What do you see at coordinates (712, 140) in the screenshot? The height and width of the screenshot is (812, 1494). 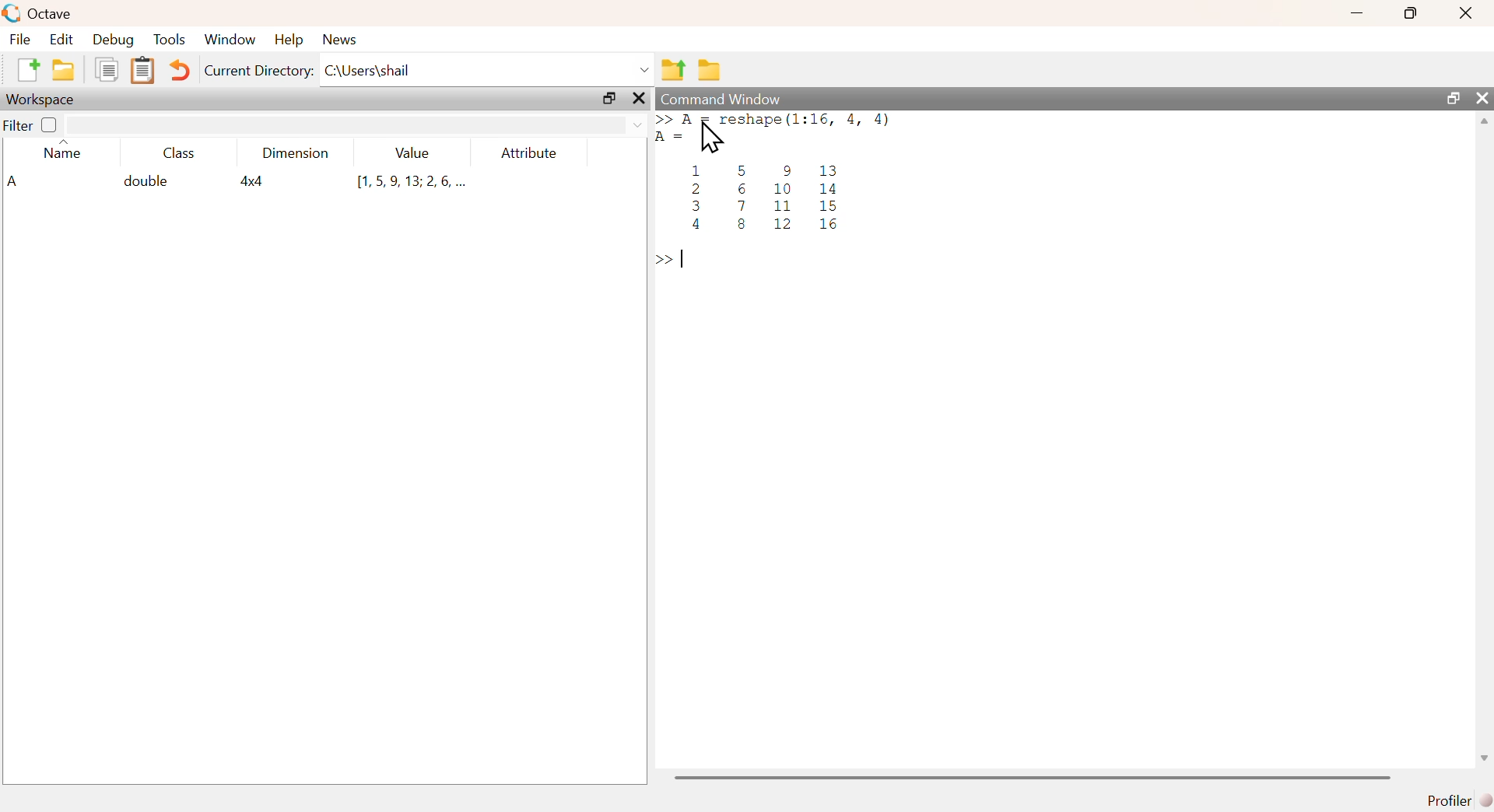 I see `cursor` at bounding box center [712, 140].